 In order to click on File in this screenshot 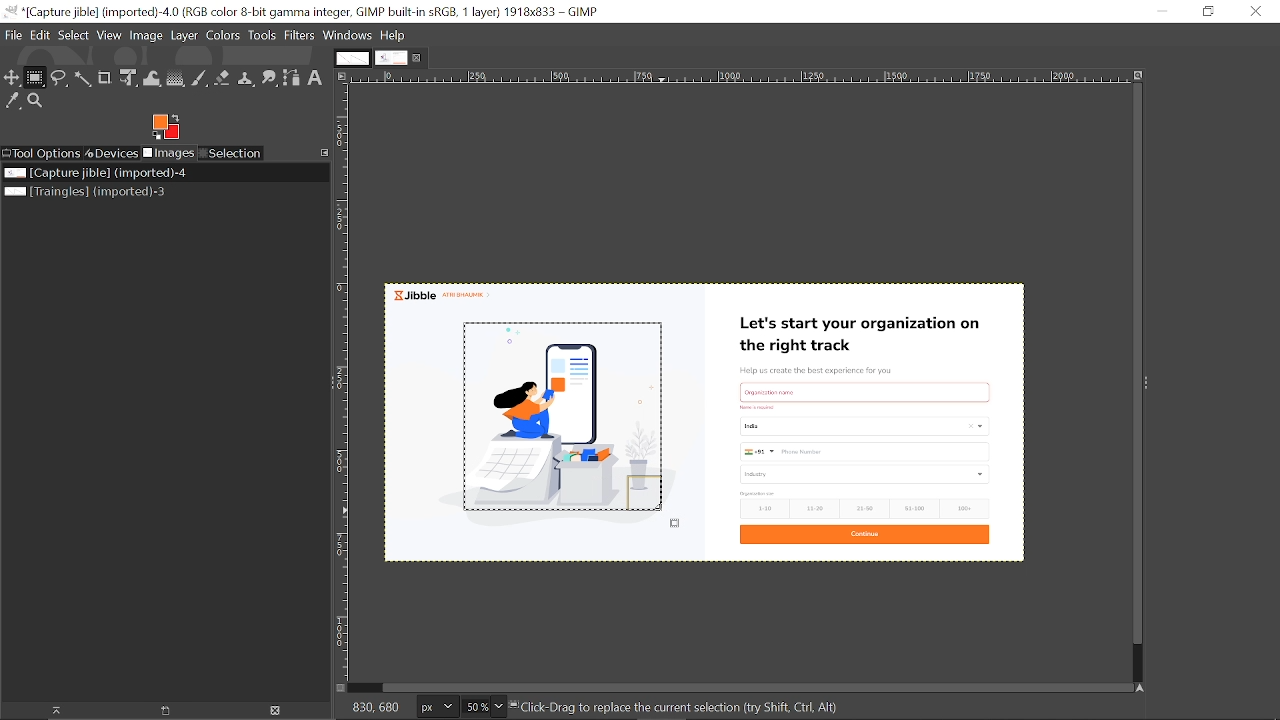, I will do `click(11, 34)`.